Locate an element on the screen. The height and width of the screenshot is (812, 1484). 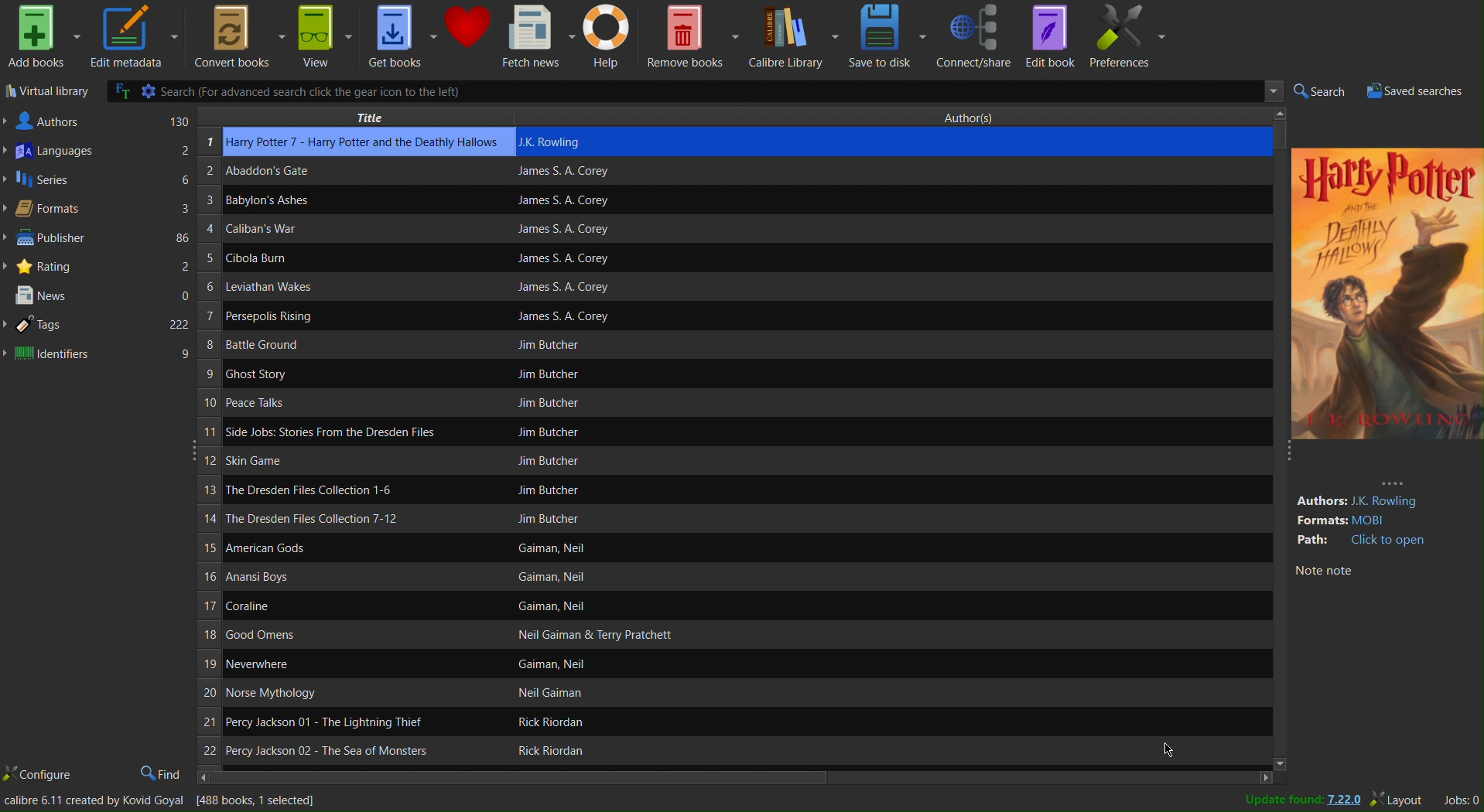
row numbers is located at coordinates (208, 449).